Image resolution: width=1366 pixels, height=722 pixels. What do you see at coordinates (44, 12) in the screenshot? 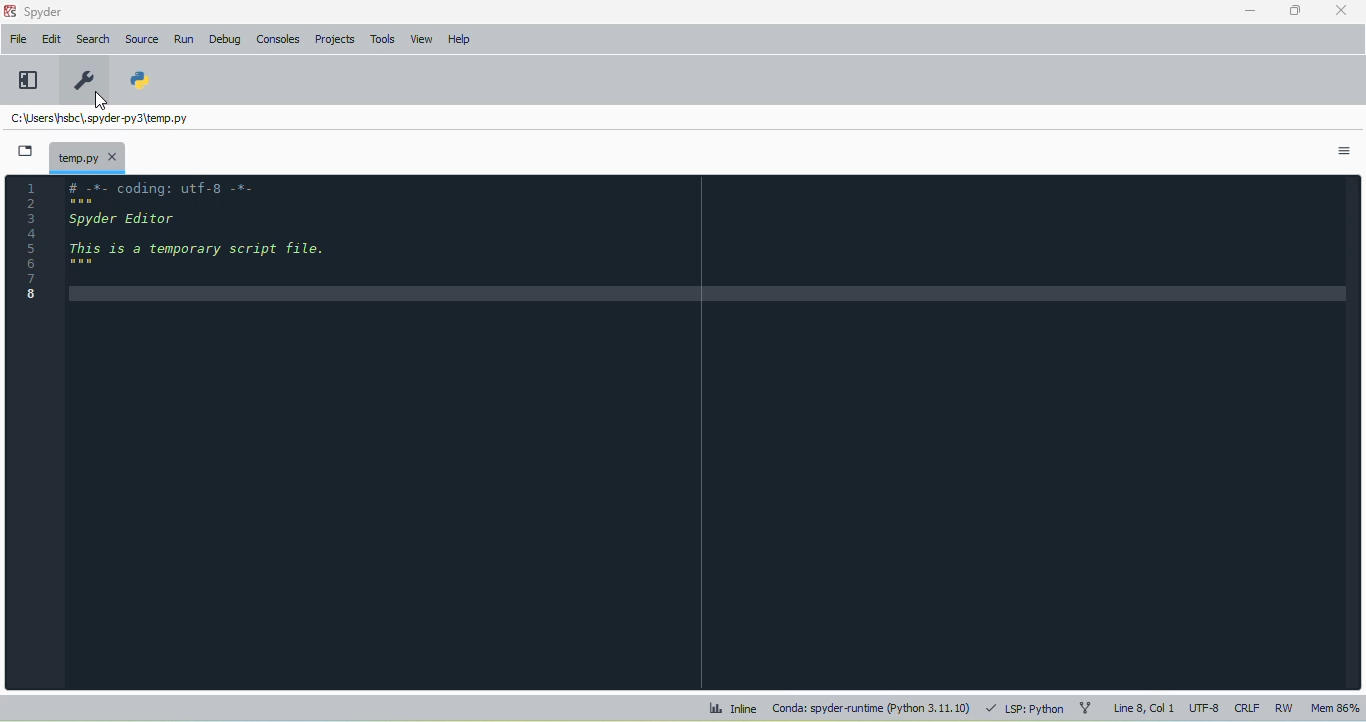
I see `spyder` at bounding box center [44, 12].